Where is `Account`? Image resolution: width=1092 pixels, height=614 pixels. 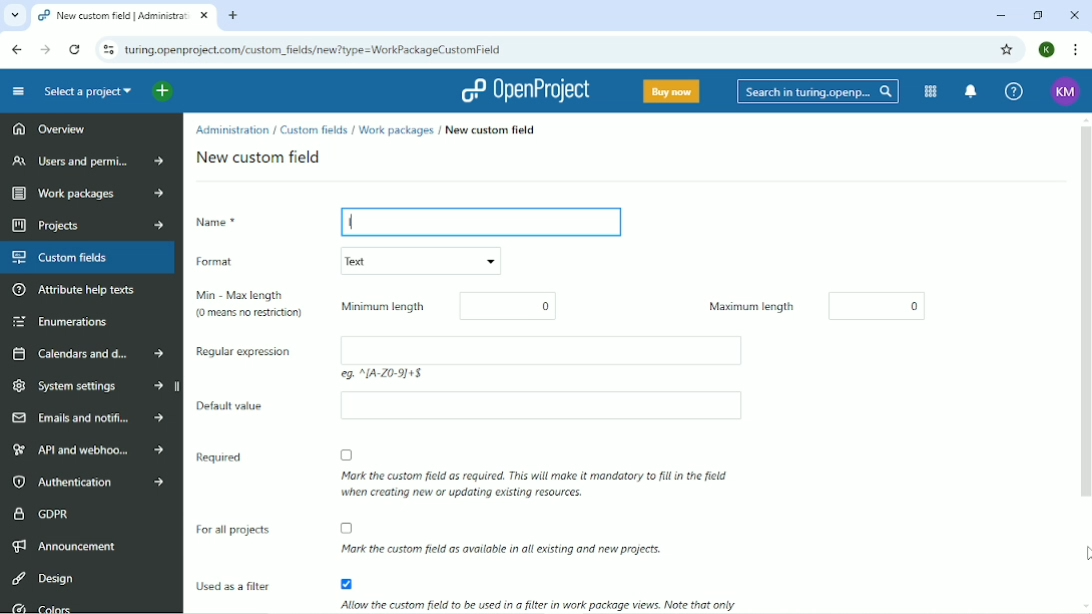 Account is located at coordinates (1063, 90).